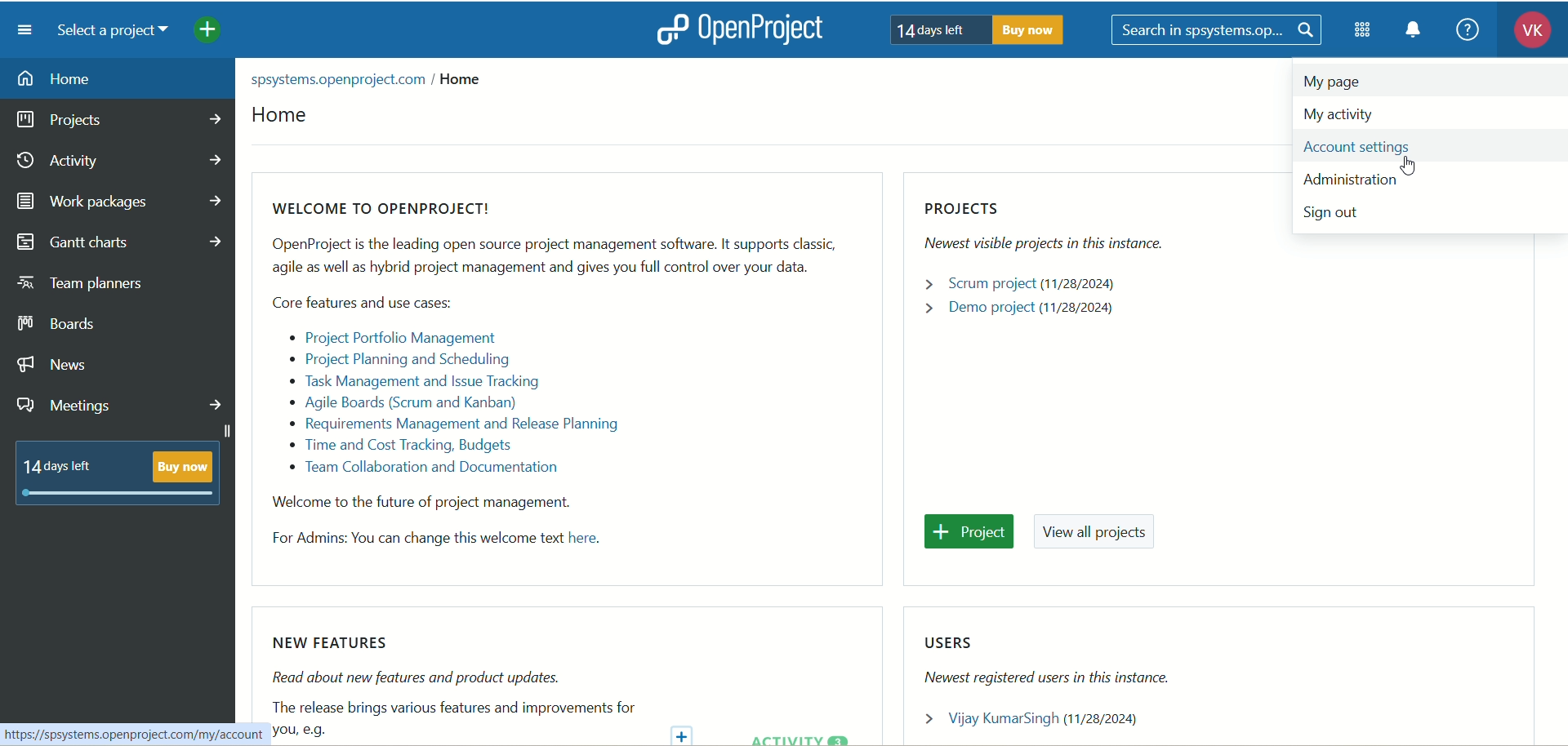  I want to click on search, so click(1218, 32).